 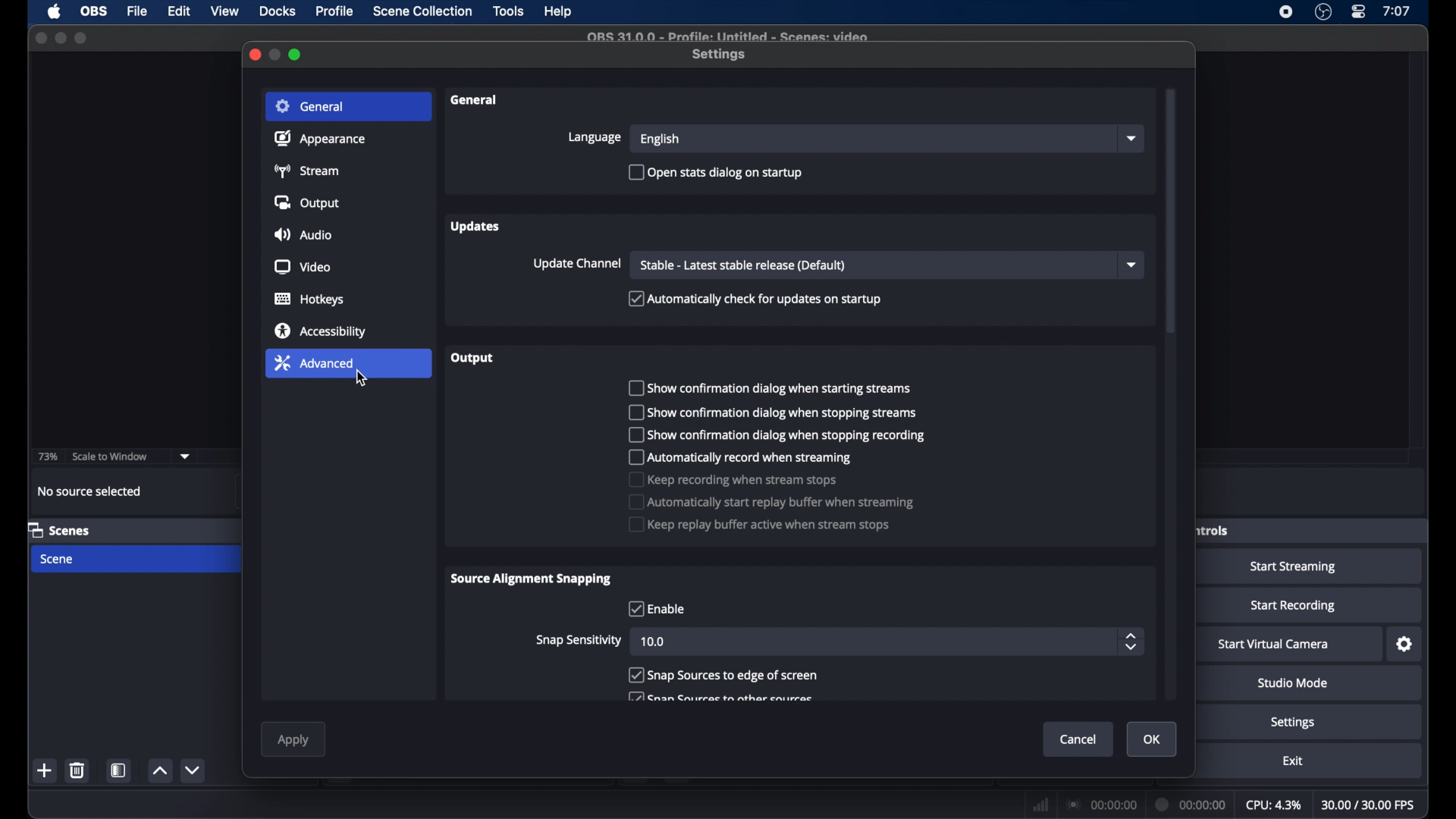 What do you see at coordinates (278, 11) in the screenshot?
I see `docks` at bounding box center [278, 11].